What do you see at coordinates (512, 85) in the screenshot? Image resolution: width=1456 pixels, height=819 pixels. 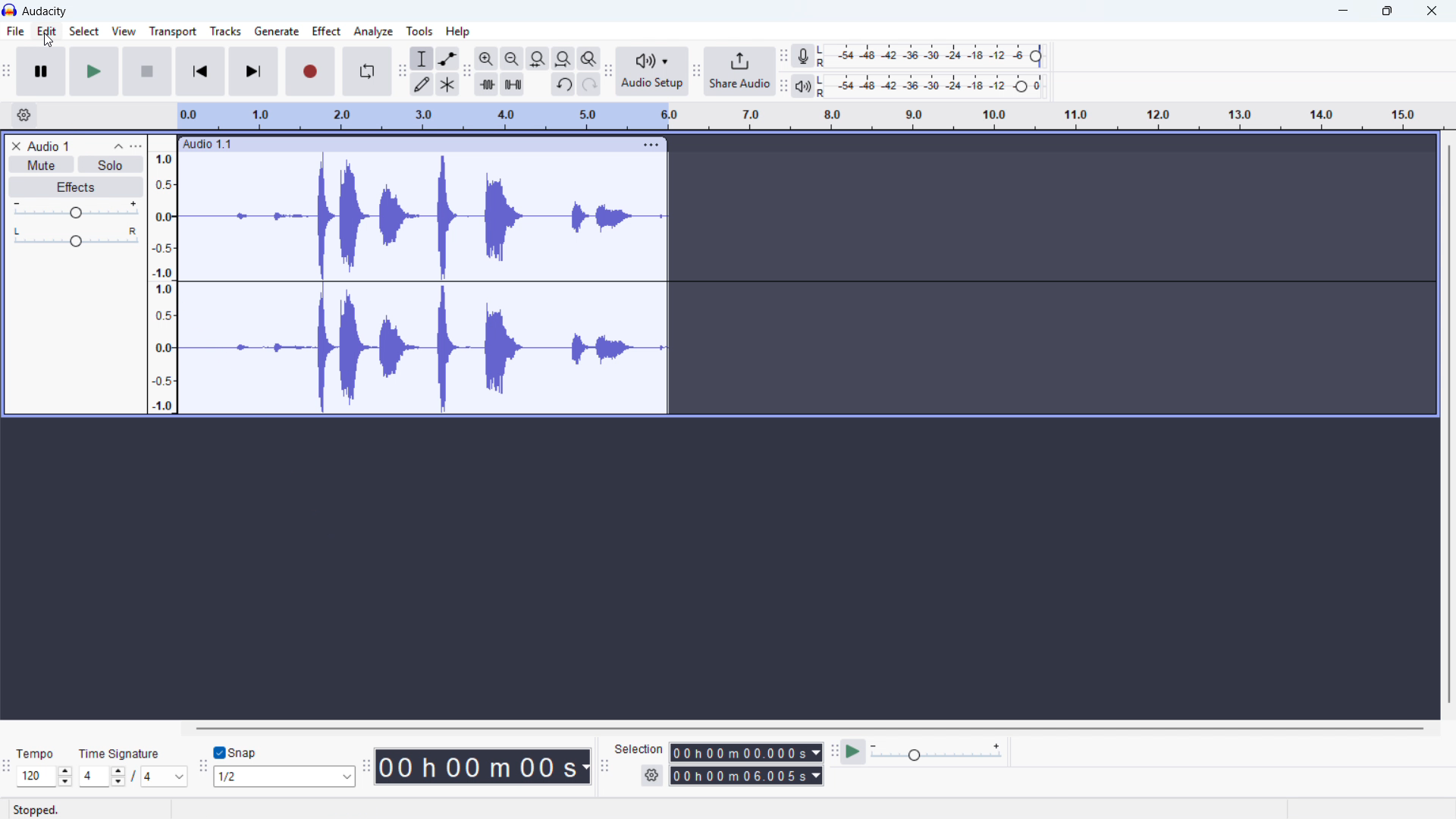 I see `silence audio selection` at bounding box center [512, 85].